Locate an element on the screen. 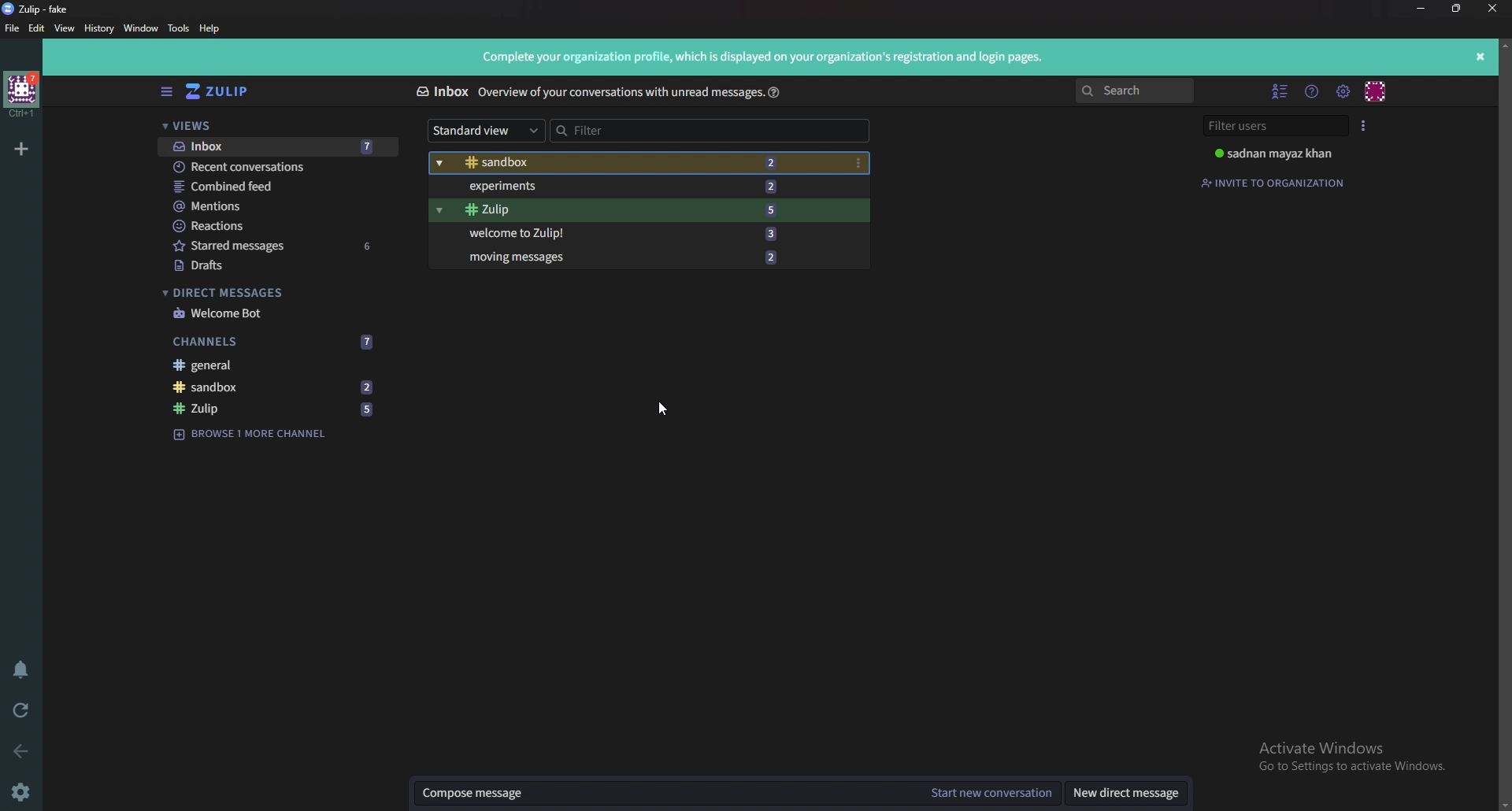 The image size is (1512, 811). Complete your organization profile, which is displayed on your organization's registration and login pages. is located at coordinates (758, 59).